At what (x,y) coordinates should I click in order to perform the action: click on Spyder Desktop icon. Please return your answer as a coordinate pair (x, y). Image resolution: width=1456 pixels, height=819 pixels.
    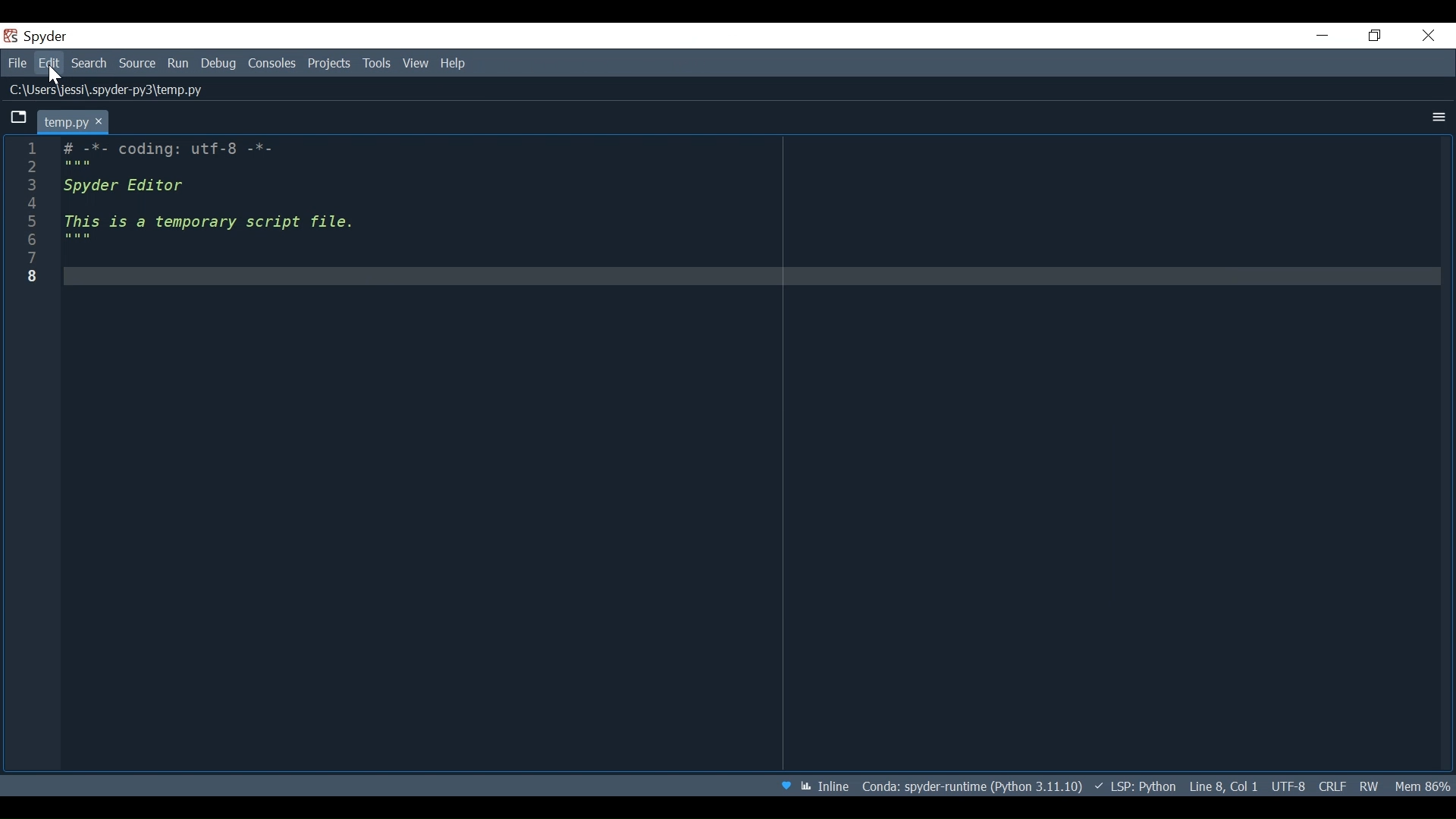
    Looking at the image, I should click on (40, 37).